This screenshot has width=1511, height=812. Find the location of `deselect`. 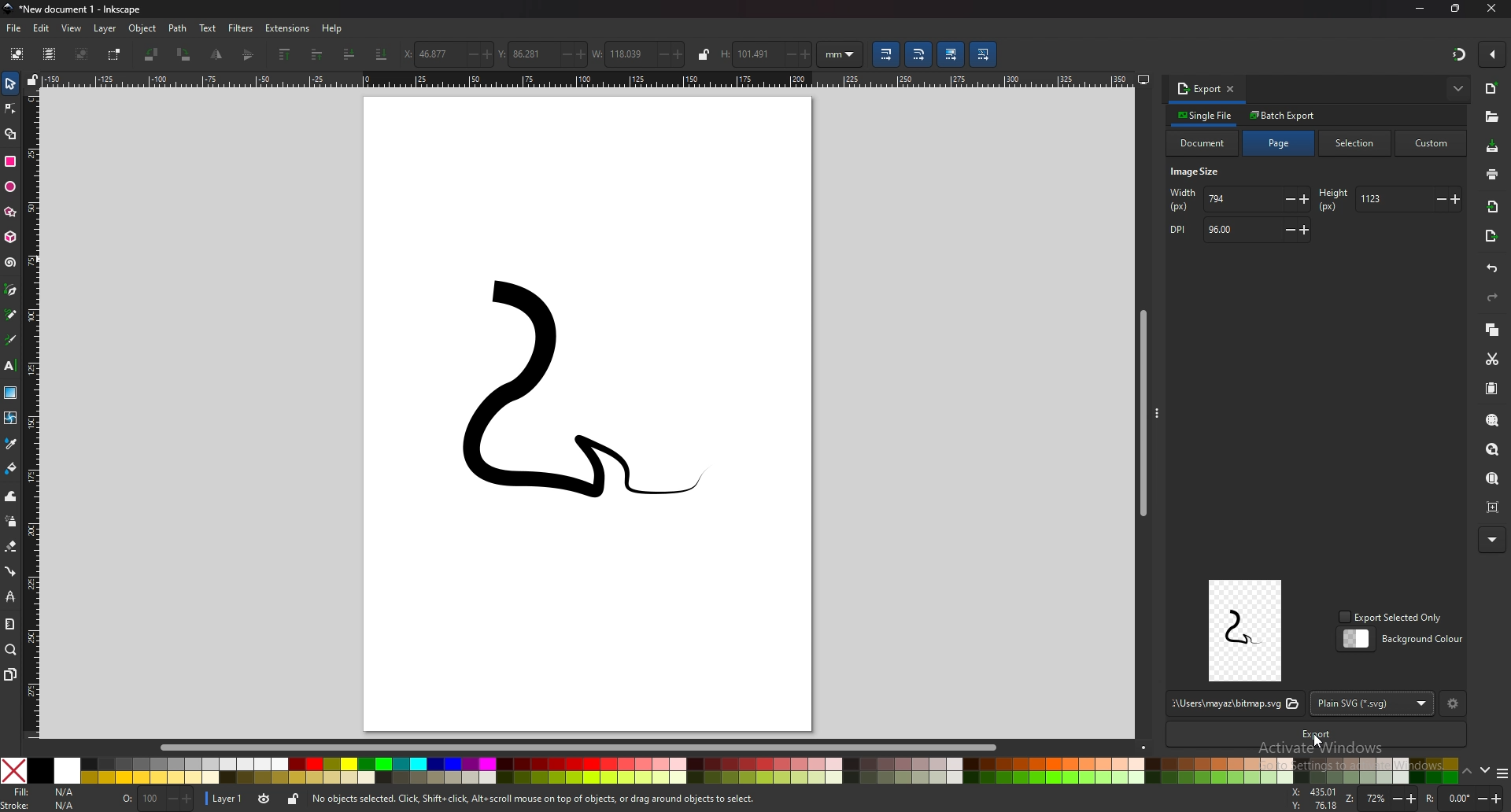

deselect is located at coordinates (83, 54).